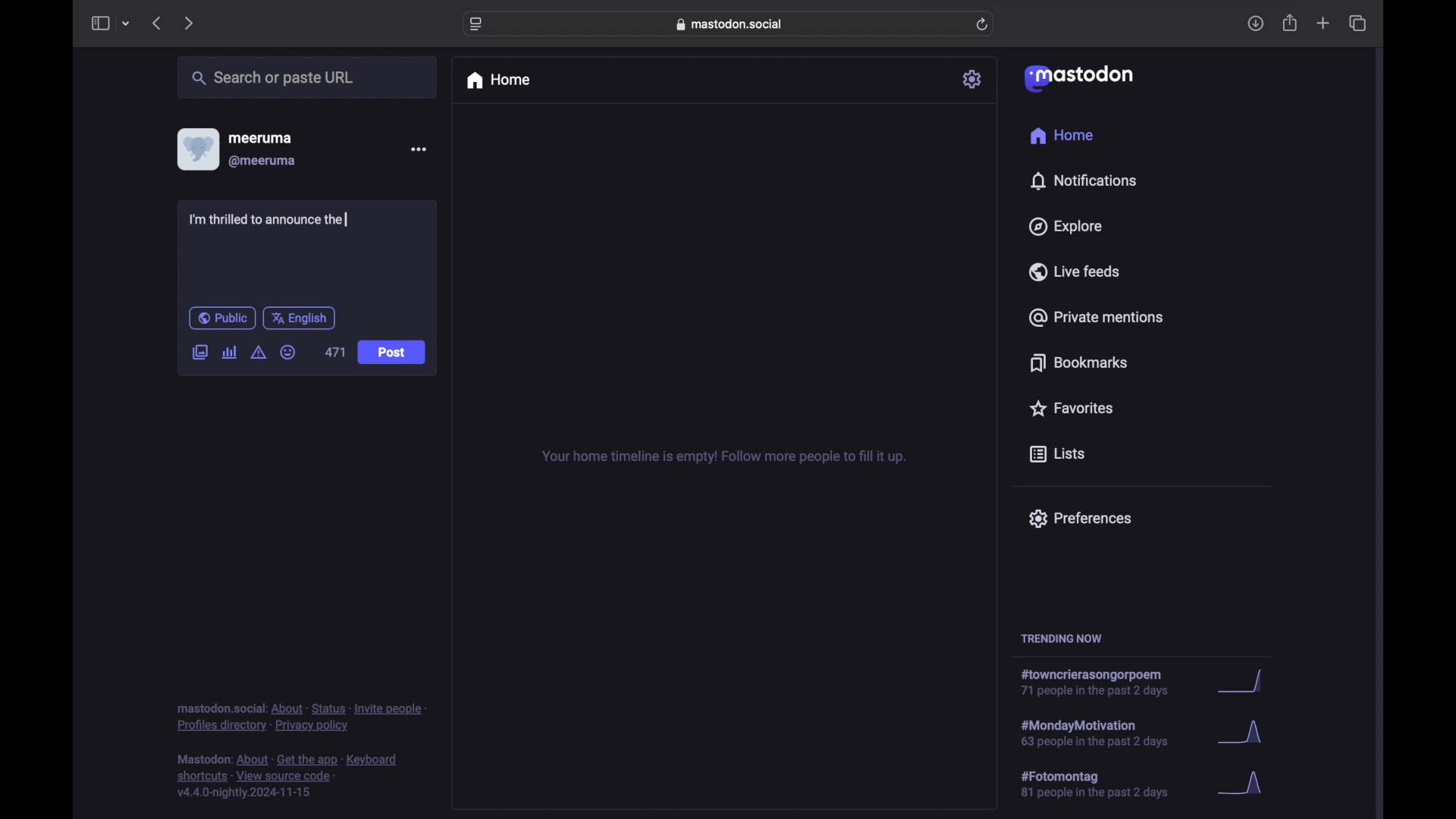 This screenshot has height=819, width=1456. I want to click on footnote, so click(301, 718).